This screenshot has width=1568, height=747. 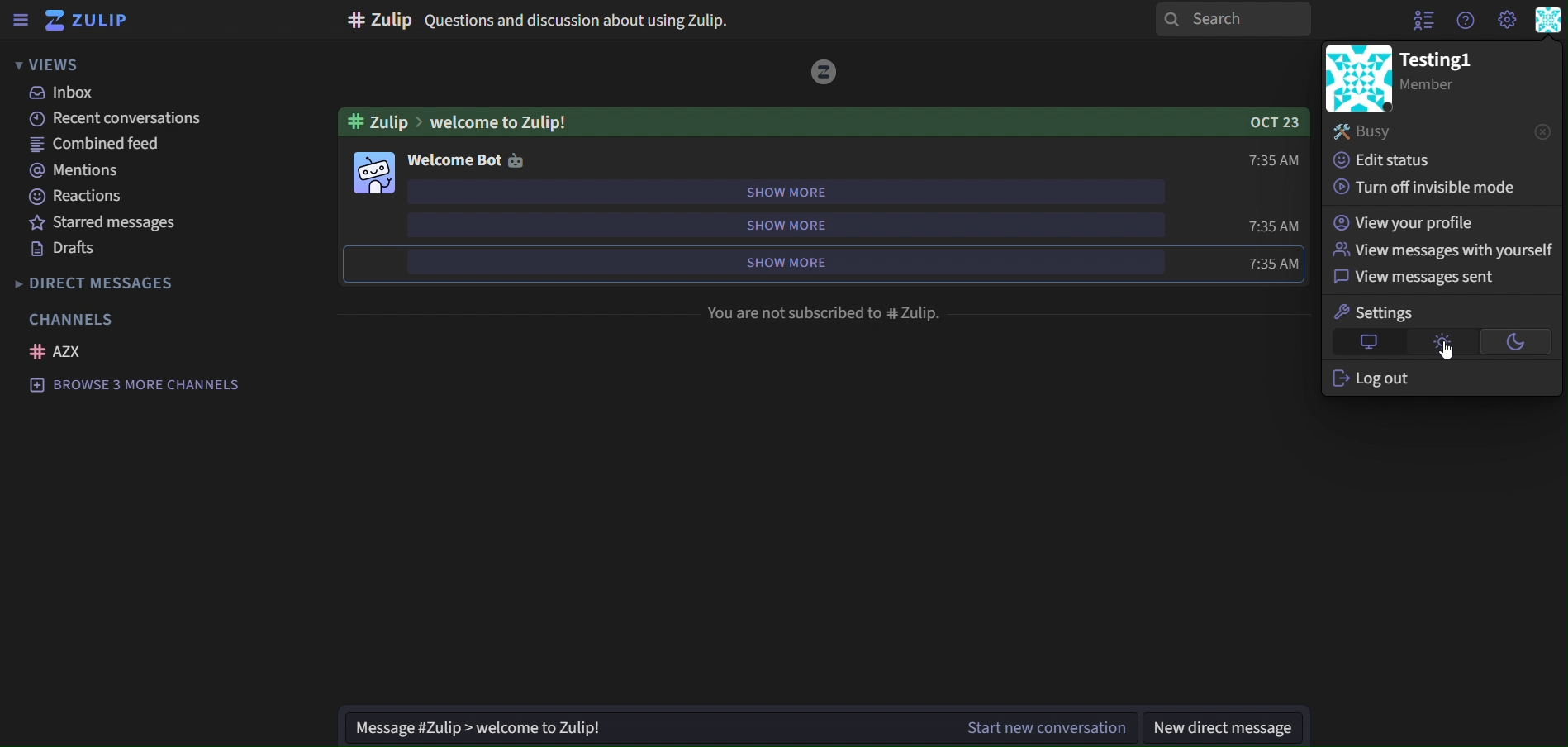 I want to click on image, so click(x=824, y=72).